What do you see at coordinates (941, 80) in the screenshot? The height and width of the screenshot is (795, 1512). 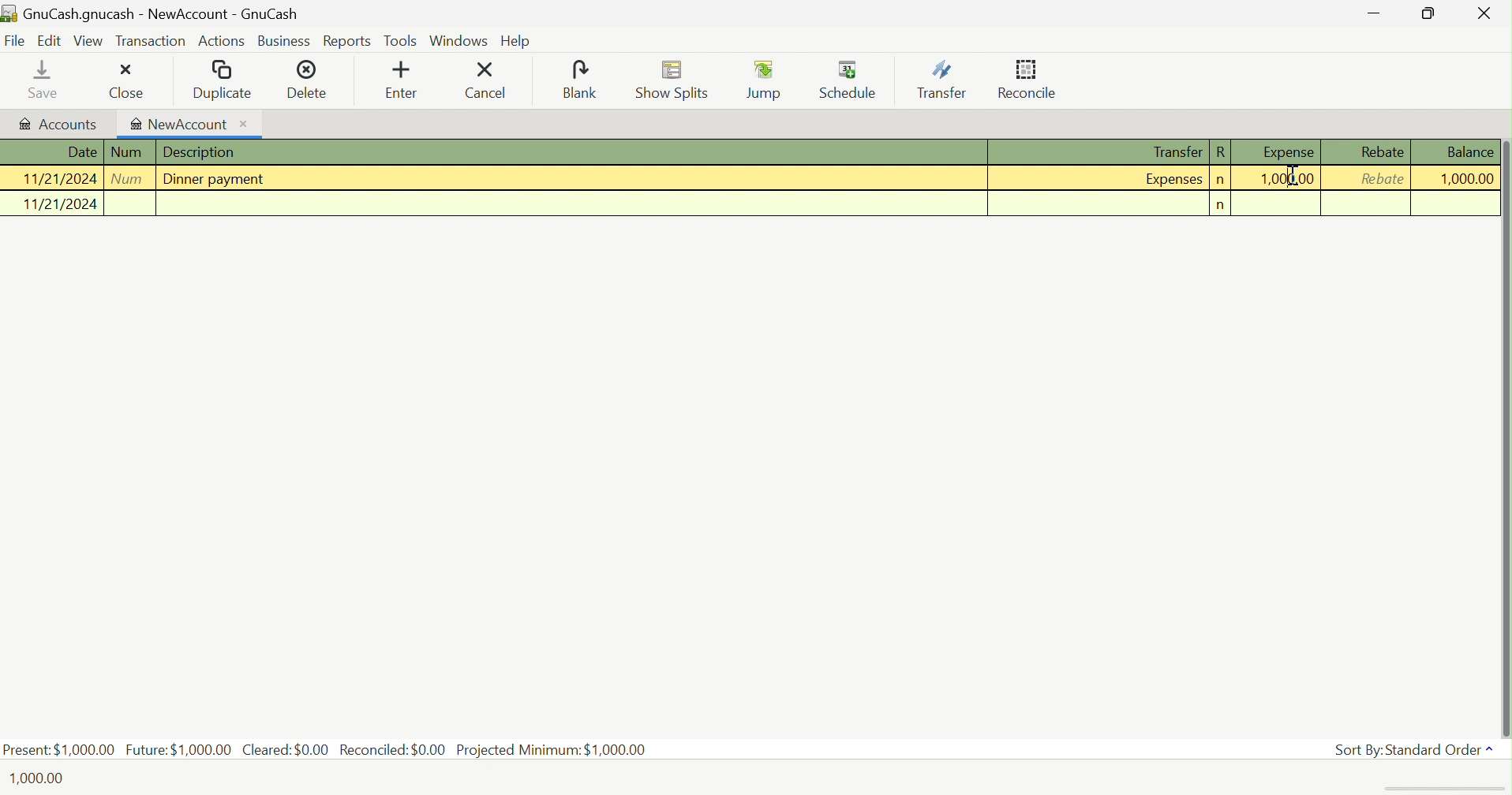 I see `Transfer` at bounding box center [941, 80].